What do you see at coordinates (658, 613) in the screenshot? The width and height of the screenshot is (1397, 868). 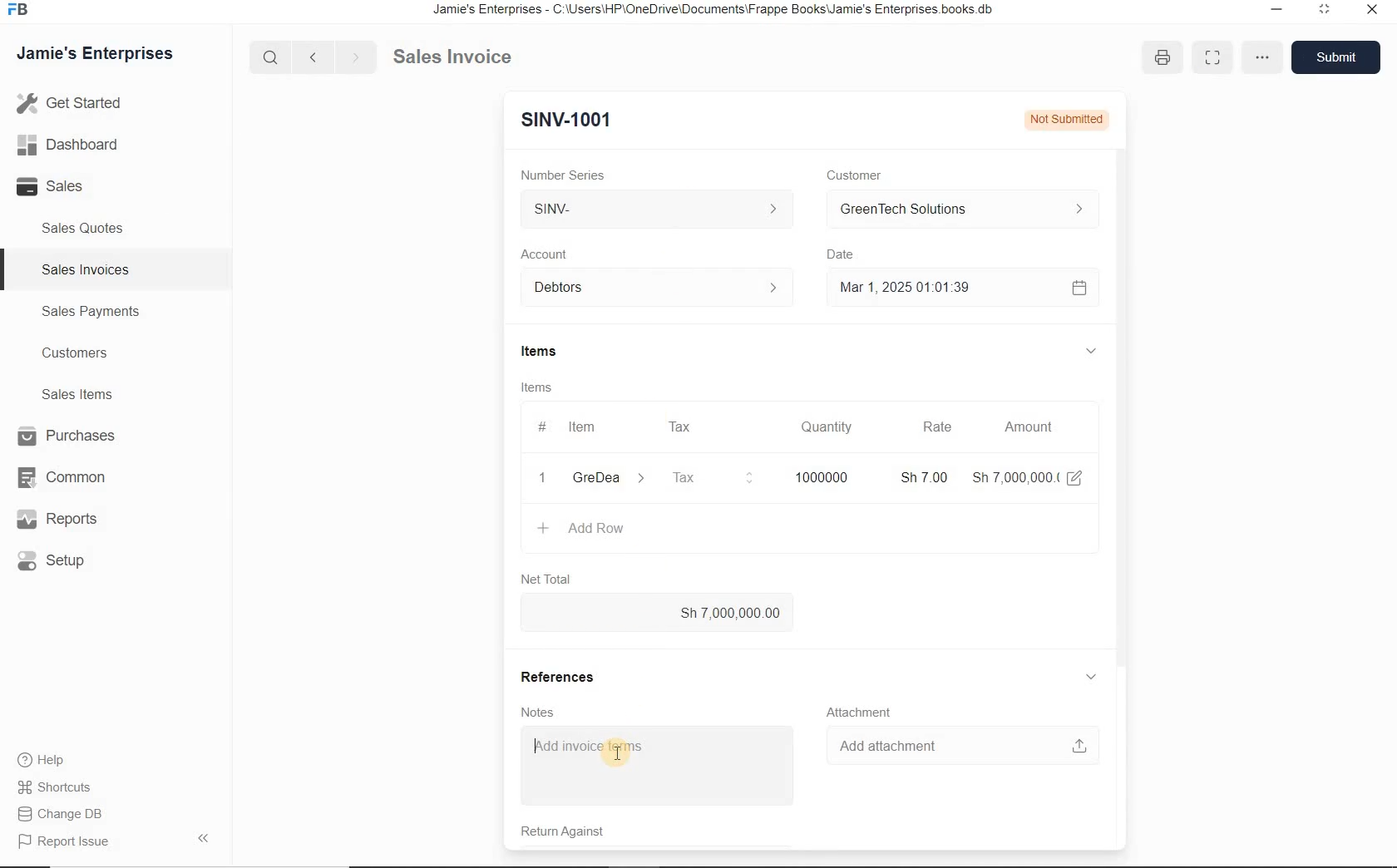 I see `Sh 7,000,000.00` at bounding box center [658, 613].